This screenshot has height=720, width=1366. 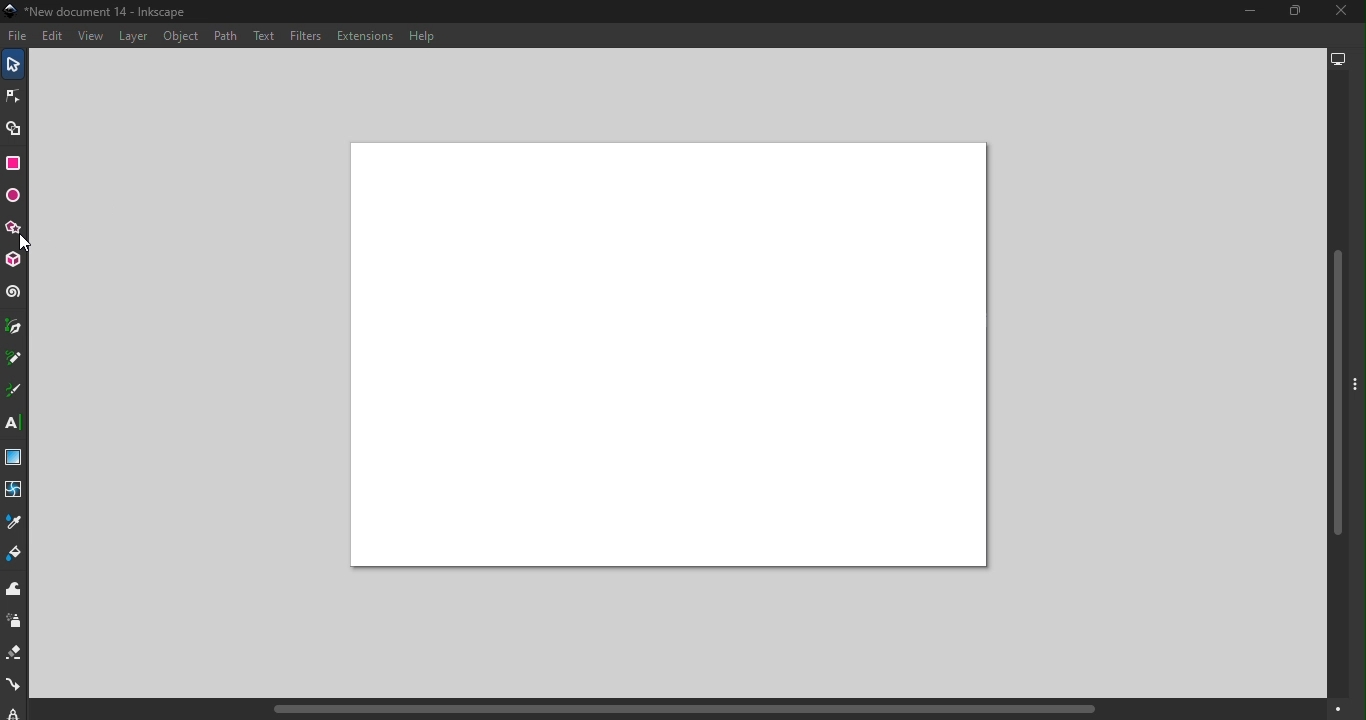 What do you see at coordinates (13, 657) in the screenshot?
I see `Eraser tool` at bounding box center [13, 657].